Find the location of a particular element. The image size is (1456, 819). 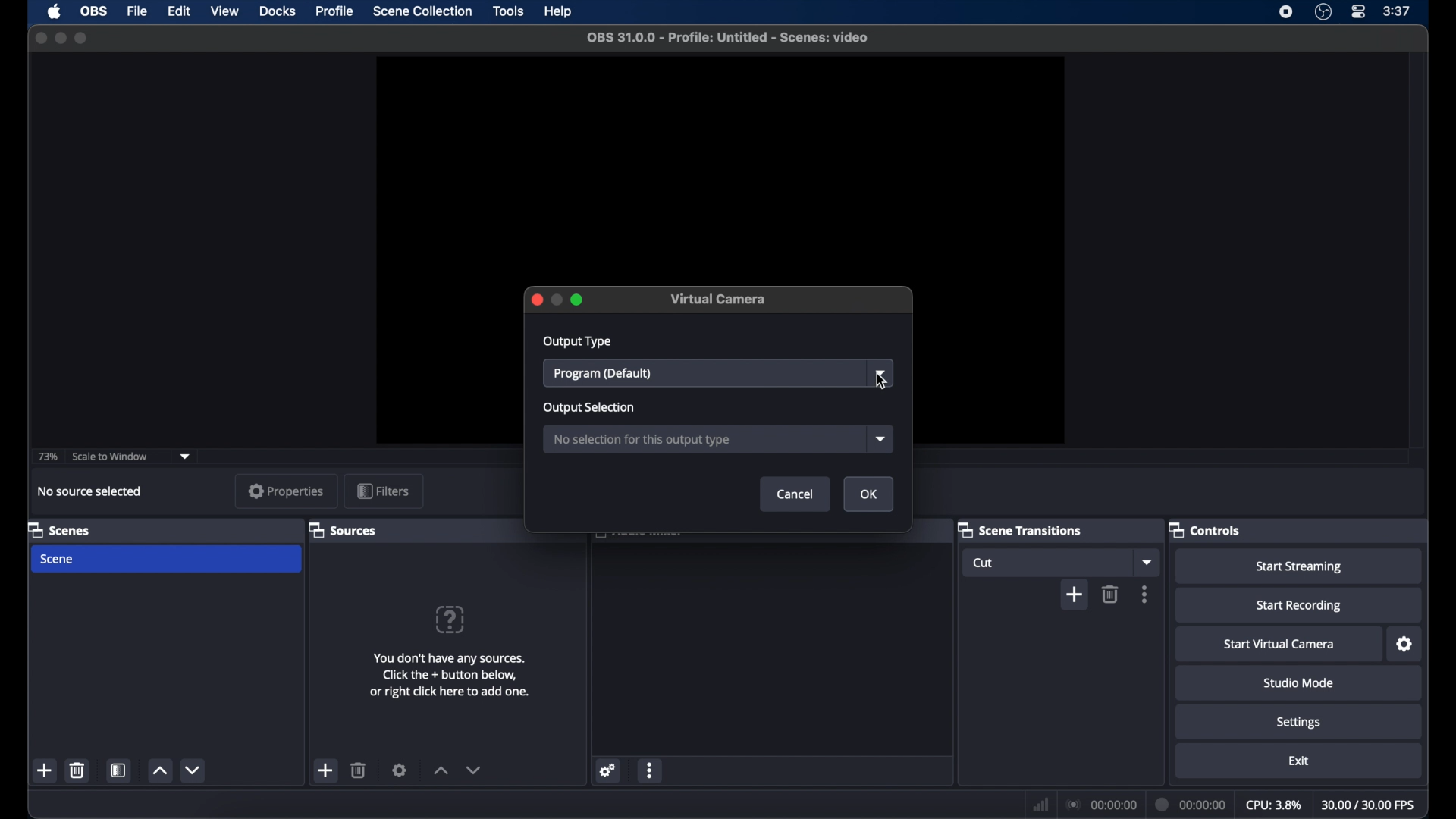

filters is located at coordinates (382, 490).